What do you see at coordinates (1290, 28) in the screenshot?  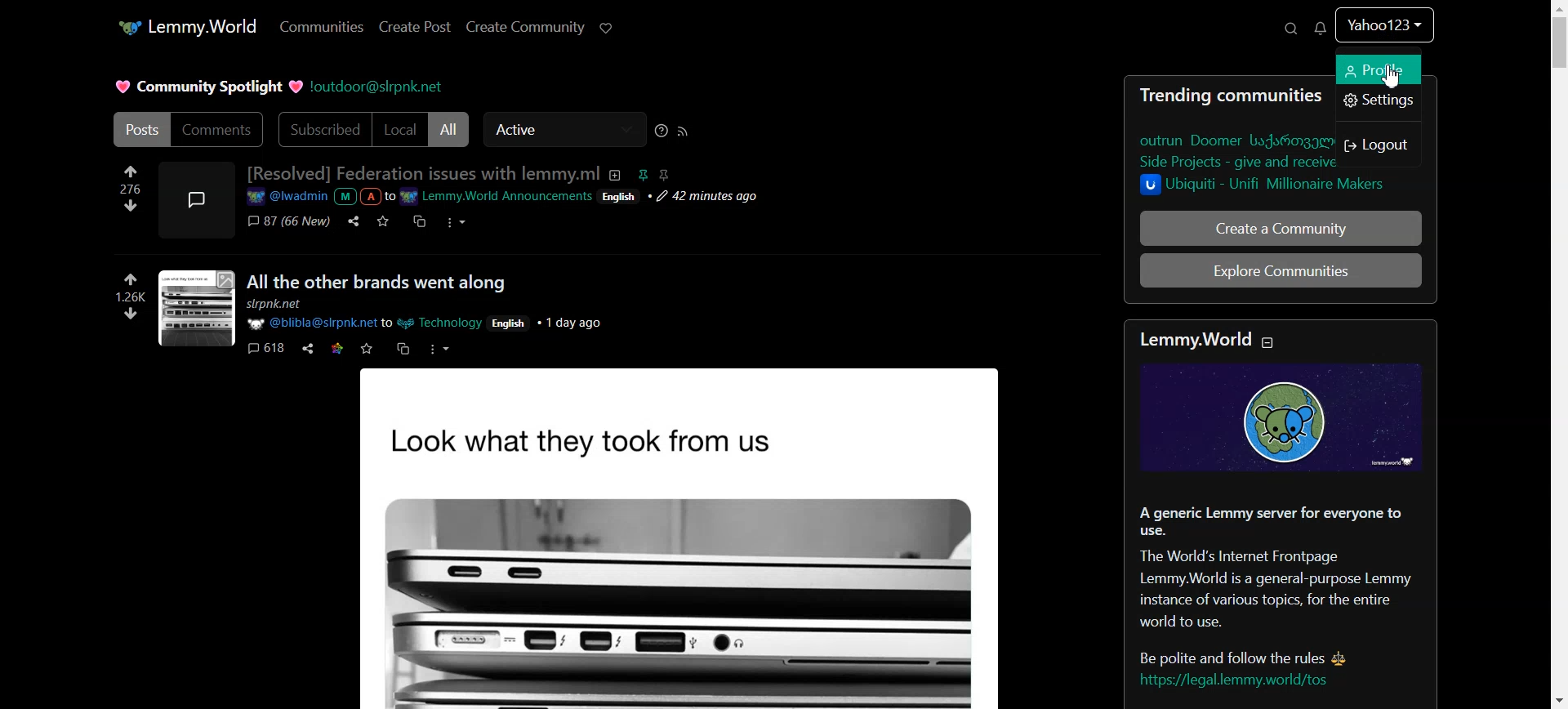 I see `Search` at bounding box center [1290, 28].